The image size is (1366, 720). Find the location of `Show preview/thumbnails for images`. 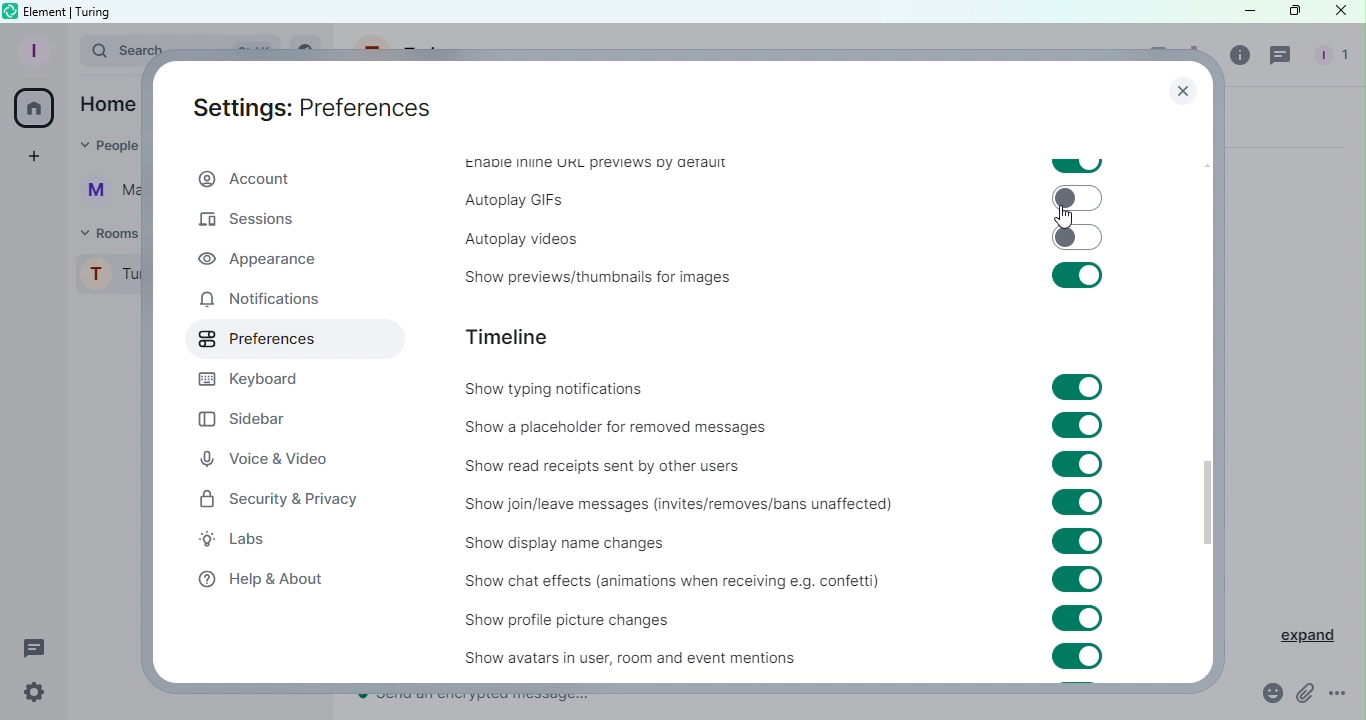

Show preview/thumbnails for images is located at coordinates (590, 279).